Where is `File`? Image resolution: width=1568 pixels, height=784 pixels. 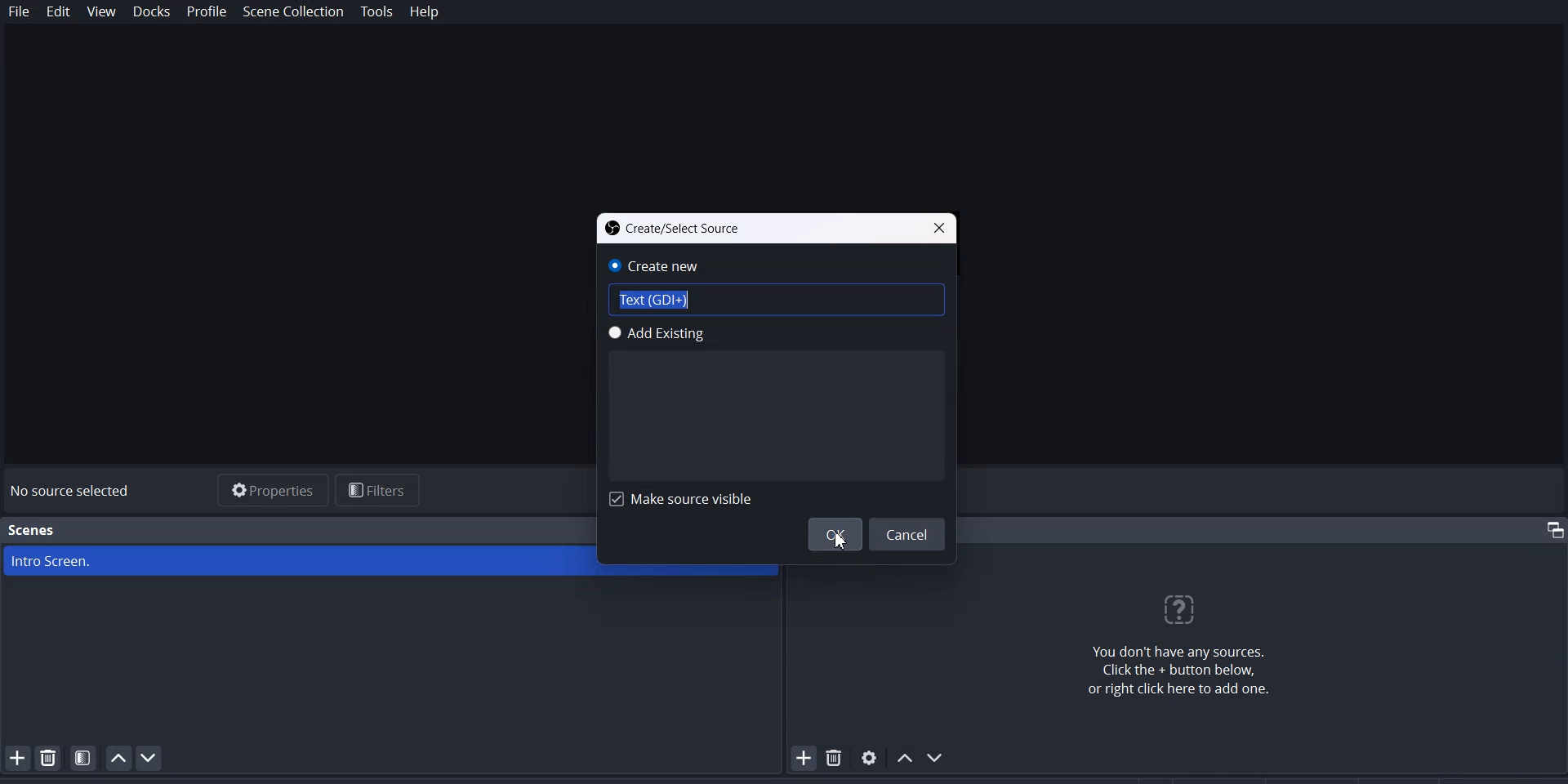
File is located at coordinates (20, 12).